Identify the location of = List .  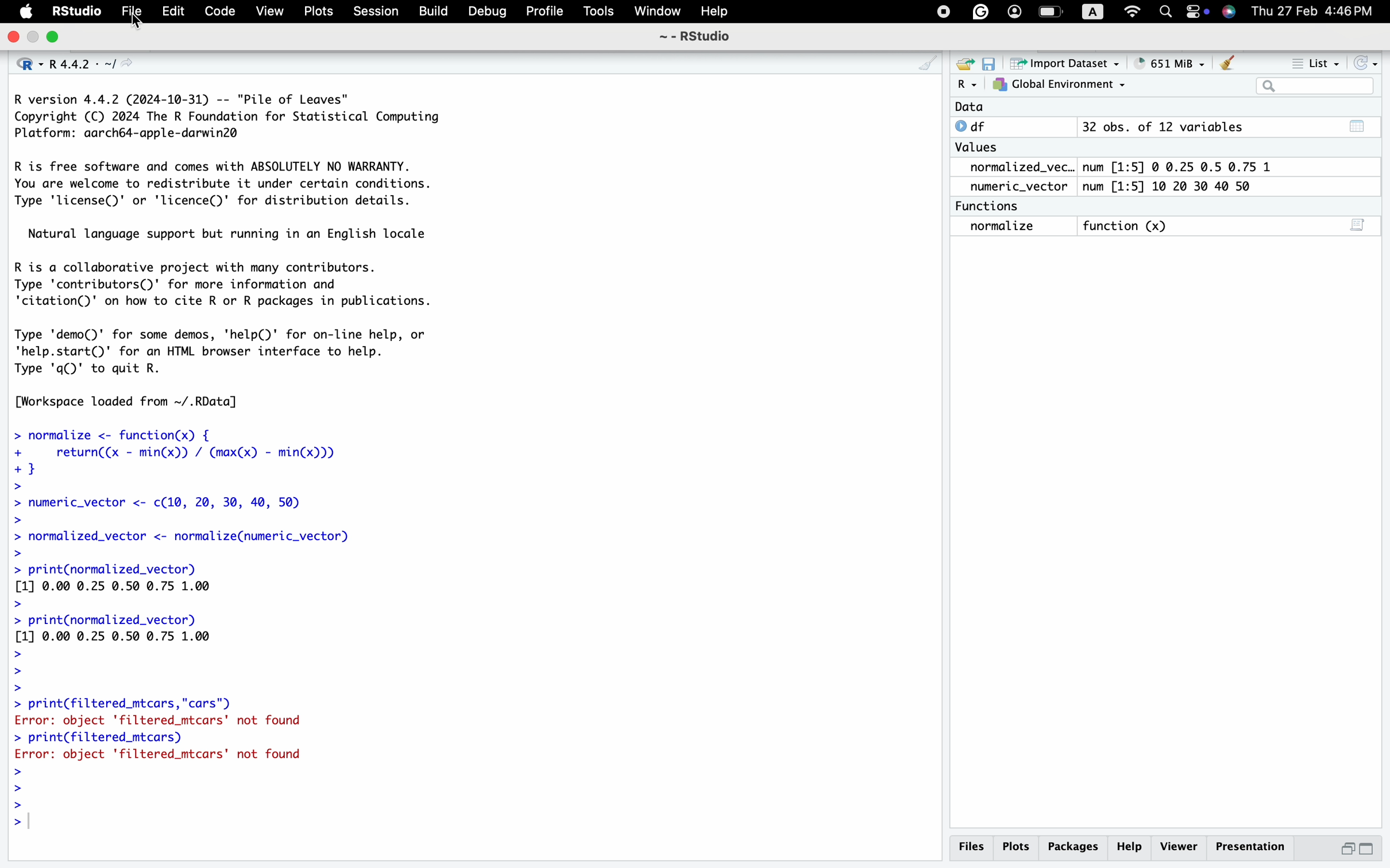
(1309, 60).